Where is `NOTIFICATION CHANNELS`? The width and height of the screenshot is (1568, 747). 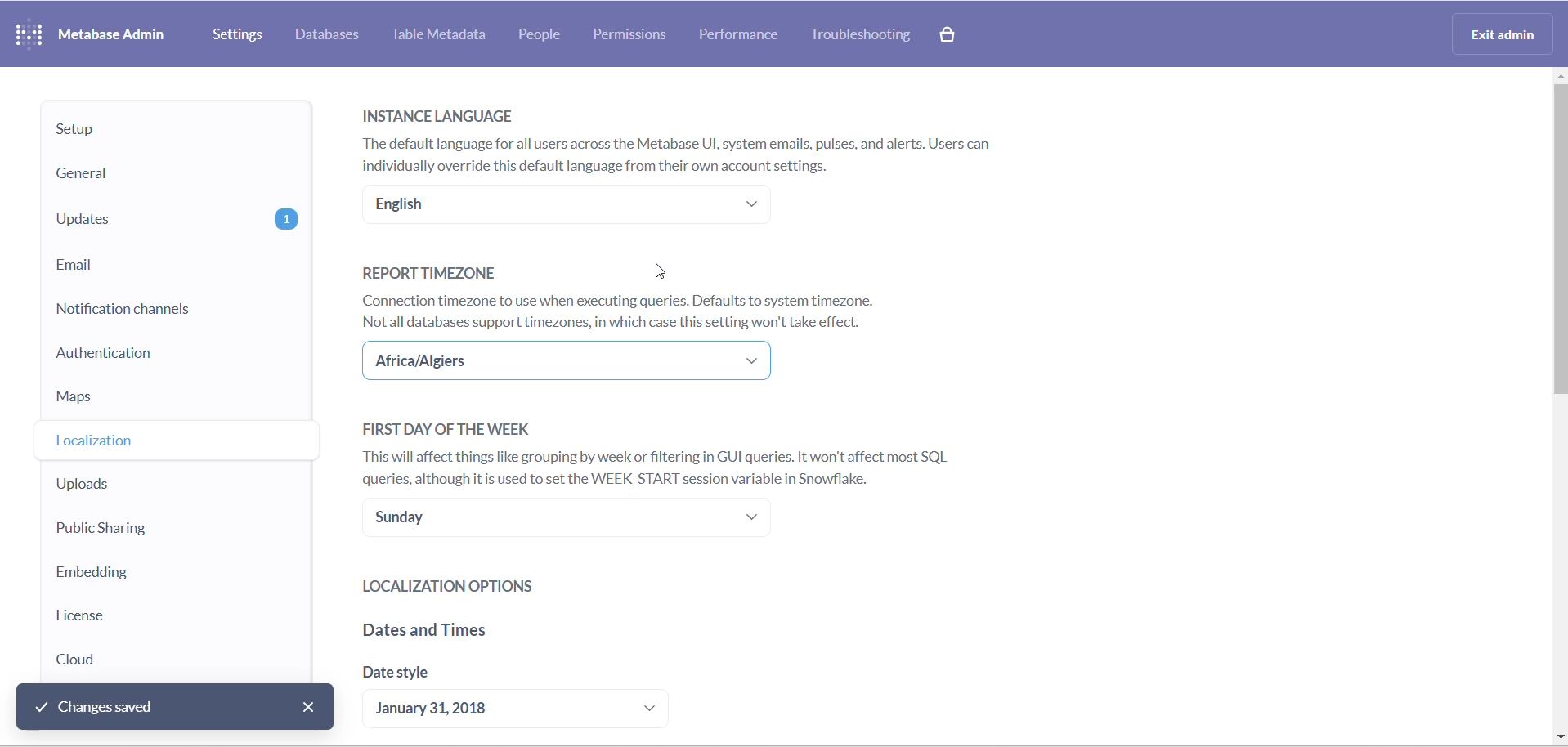
NOTIFICATION CHANNELS is located at coordinates (173, 310).